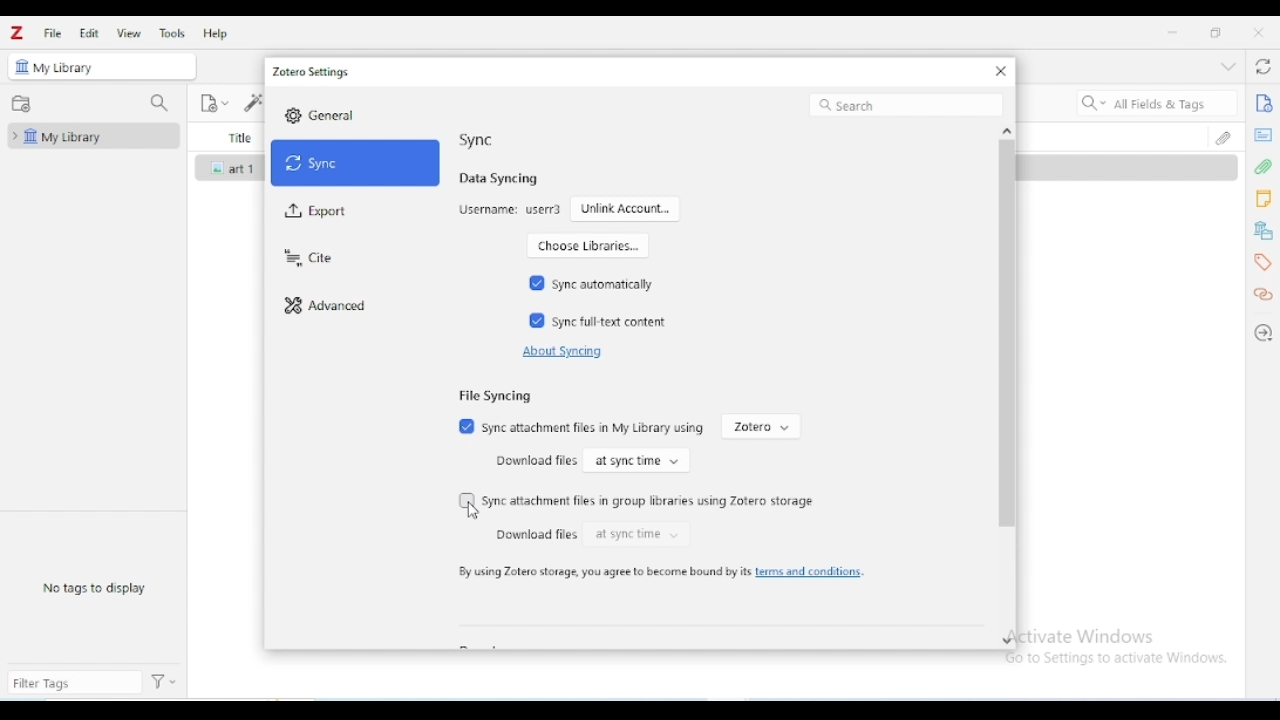  What do you see at coordinates (604, 572) in the screenshot?
I see `by using zotero storage, you agree to become bound by its` at bounding box center [604, 572].